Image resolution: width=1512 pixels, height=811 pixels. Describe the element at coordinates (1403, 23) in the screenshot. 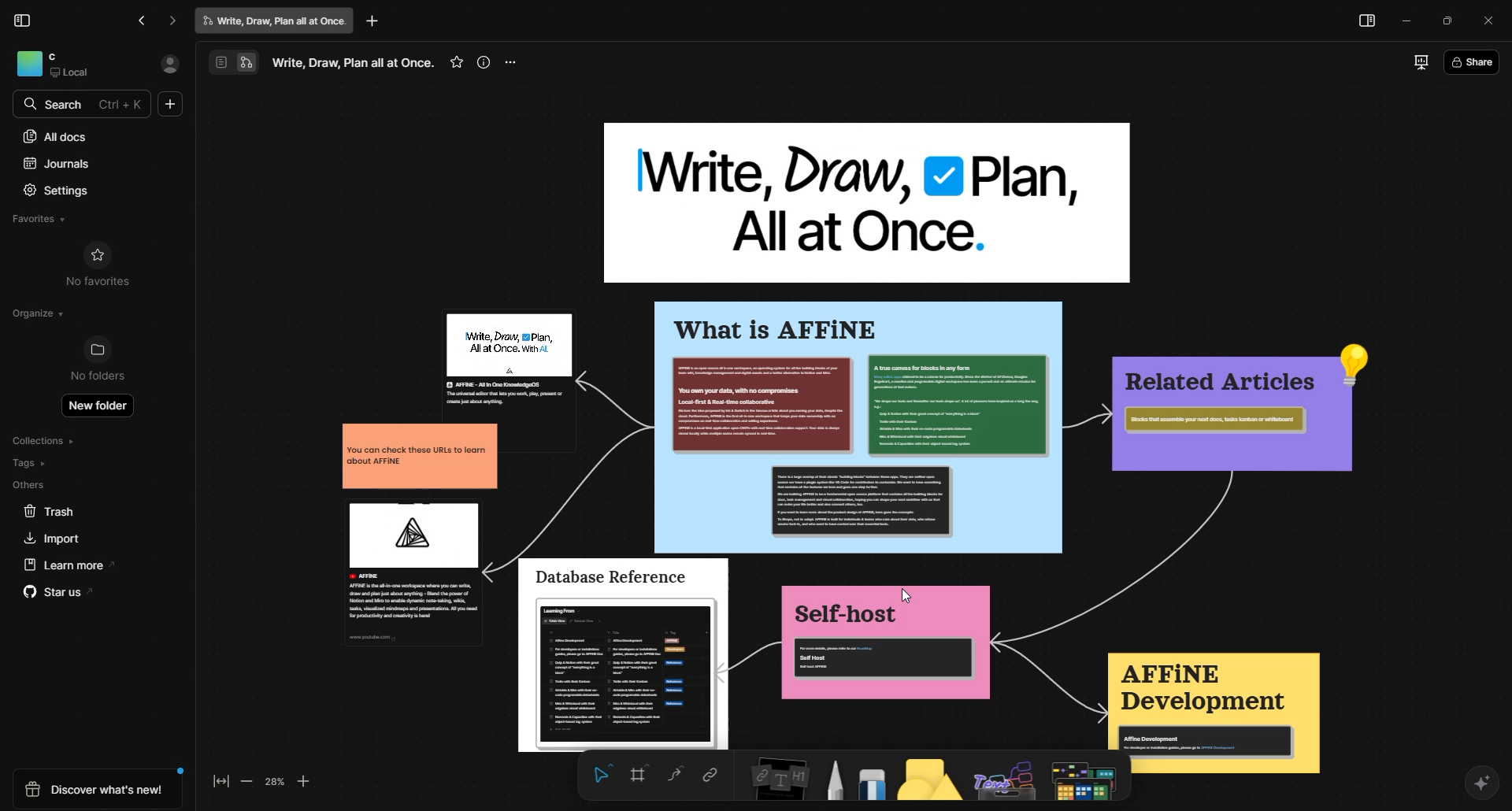

I see `minimize` at that location.